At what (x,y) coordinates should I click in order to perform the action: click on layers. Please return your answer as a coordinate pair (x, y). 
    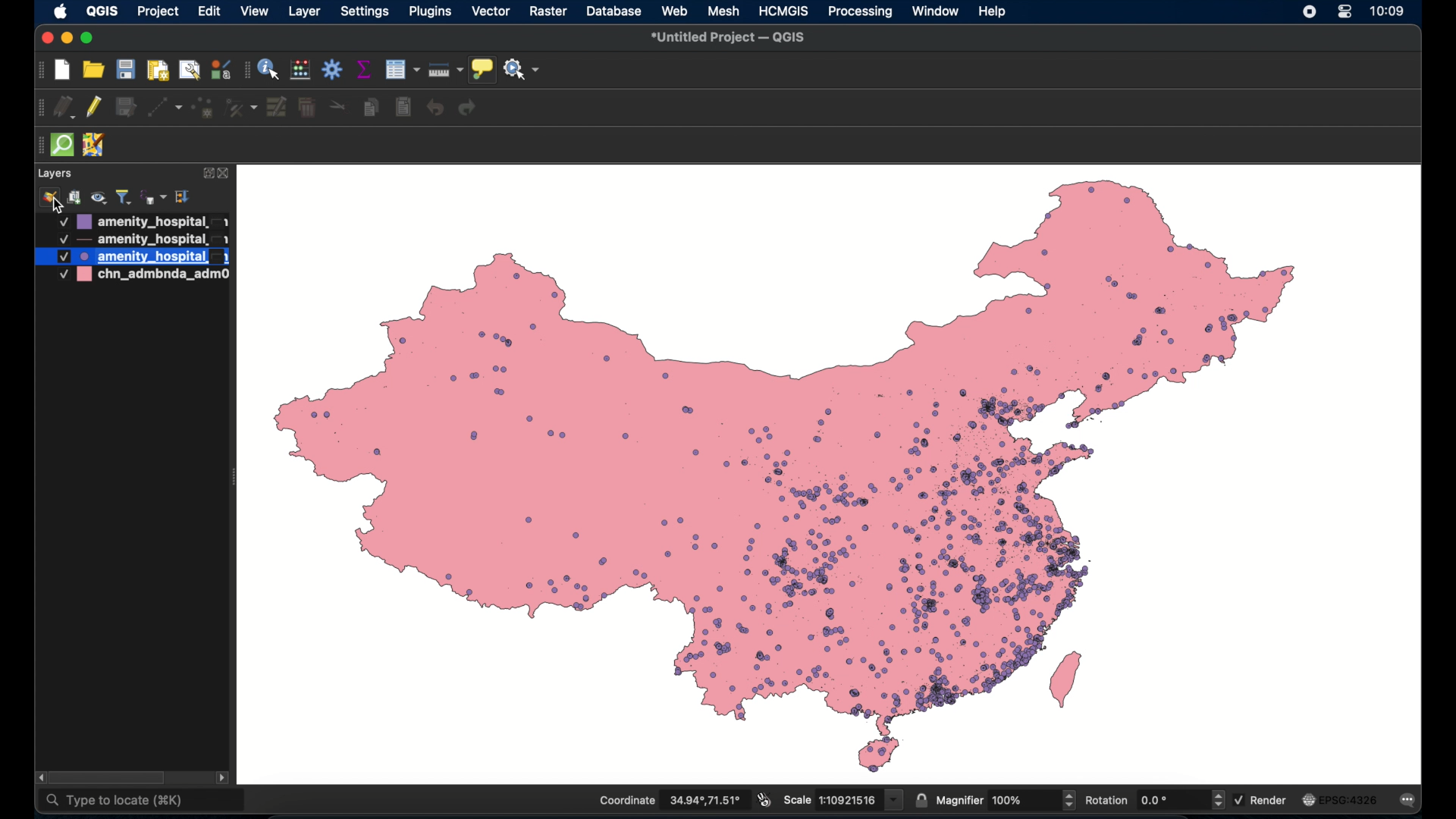
    Looking at the image, I should click on (56, 173).